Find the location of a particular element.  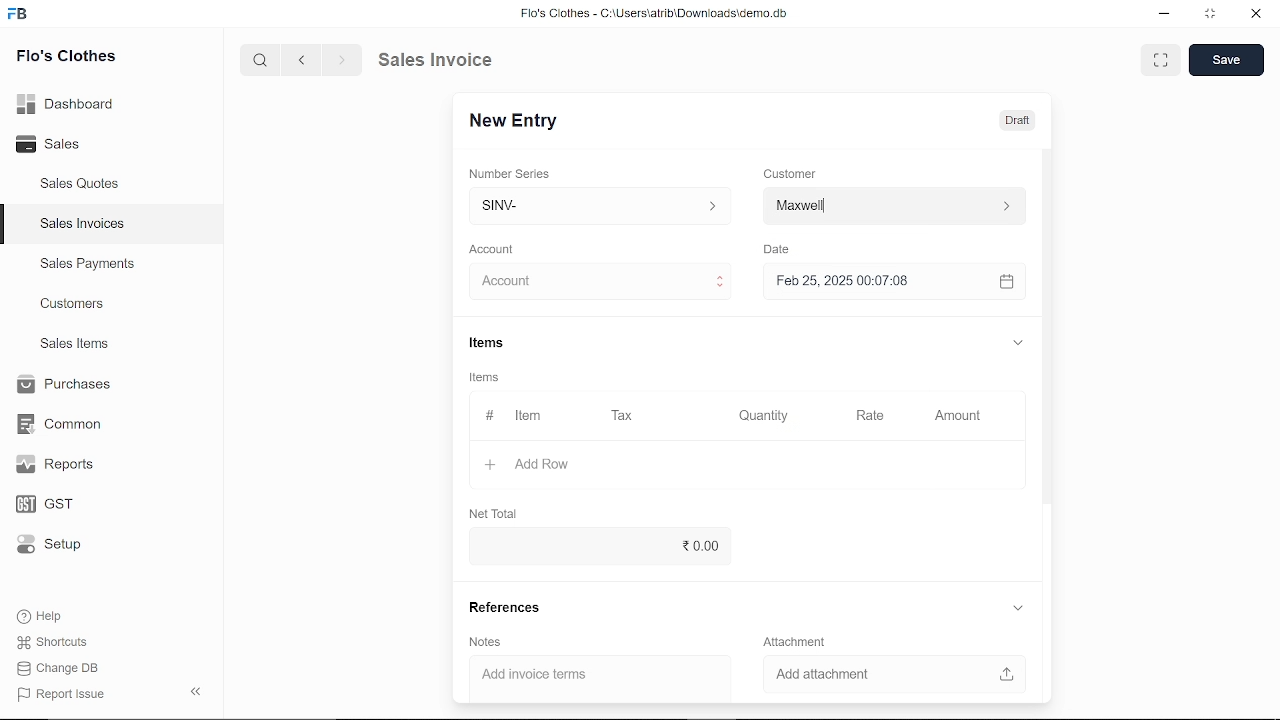

Help is located at coordinates (42, 616).